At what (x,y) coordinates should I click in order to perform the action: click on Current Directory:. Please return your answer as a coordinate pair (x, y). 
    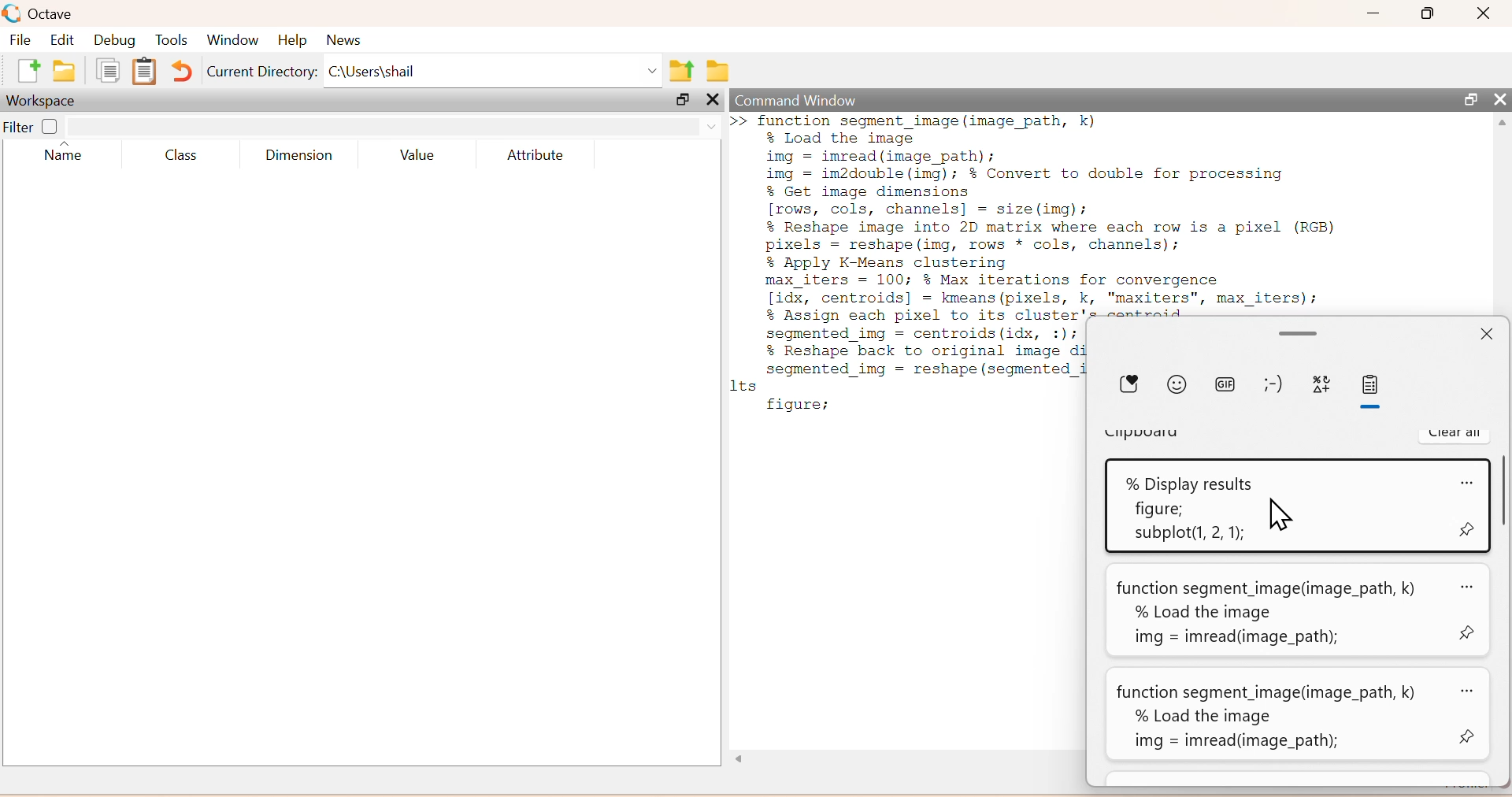
    Looking at the image, I should click on (262, 74).